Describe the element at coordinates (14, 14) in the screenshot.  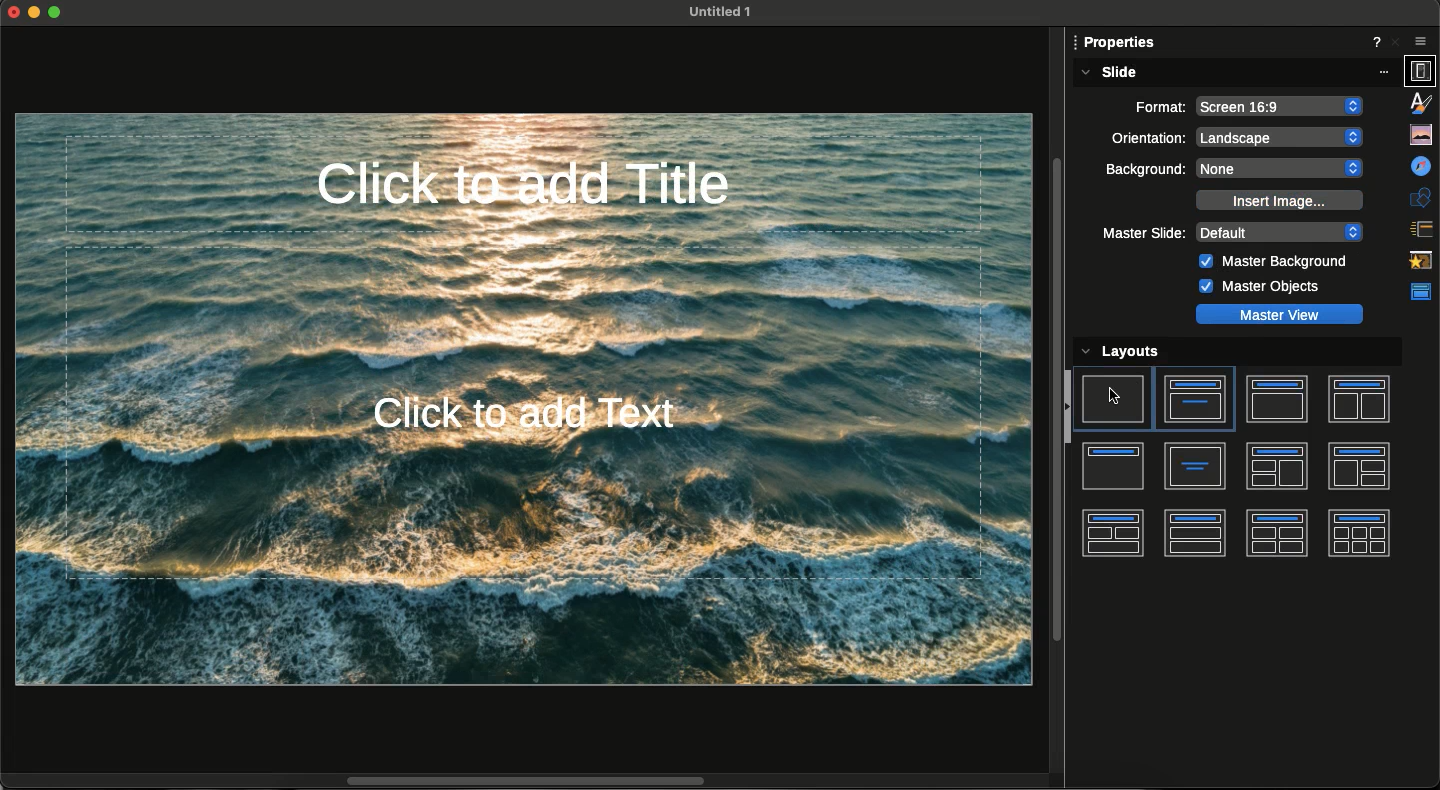
I see `Close` at that location.